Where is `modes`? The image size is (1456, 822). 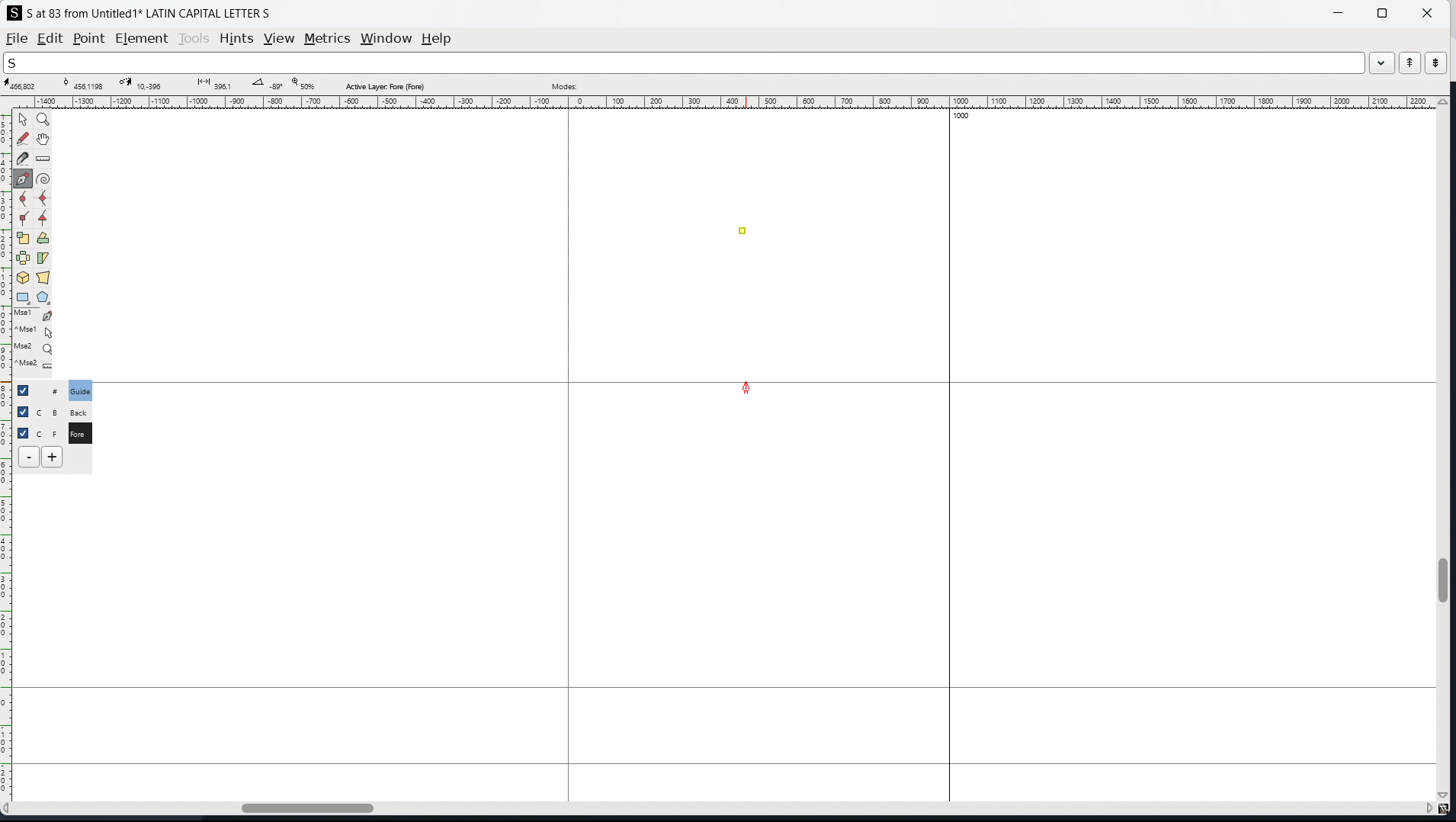 modes is located at coordinates (564, 85).